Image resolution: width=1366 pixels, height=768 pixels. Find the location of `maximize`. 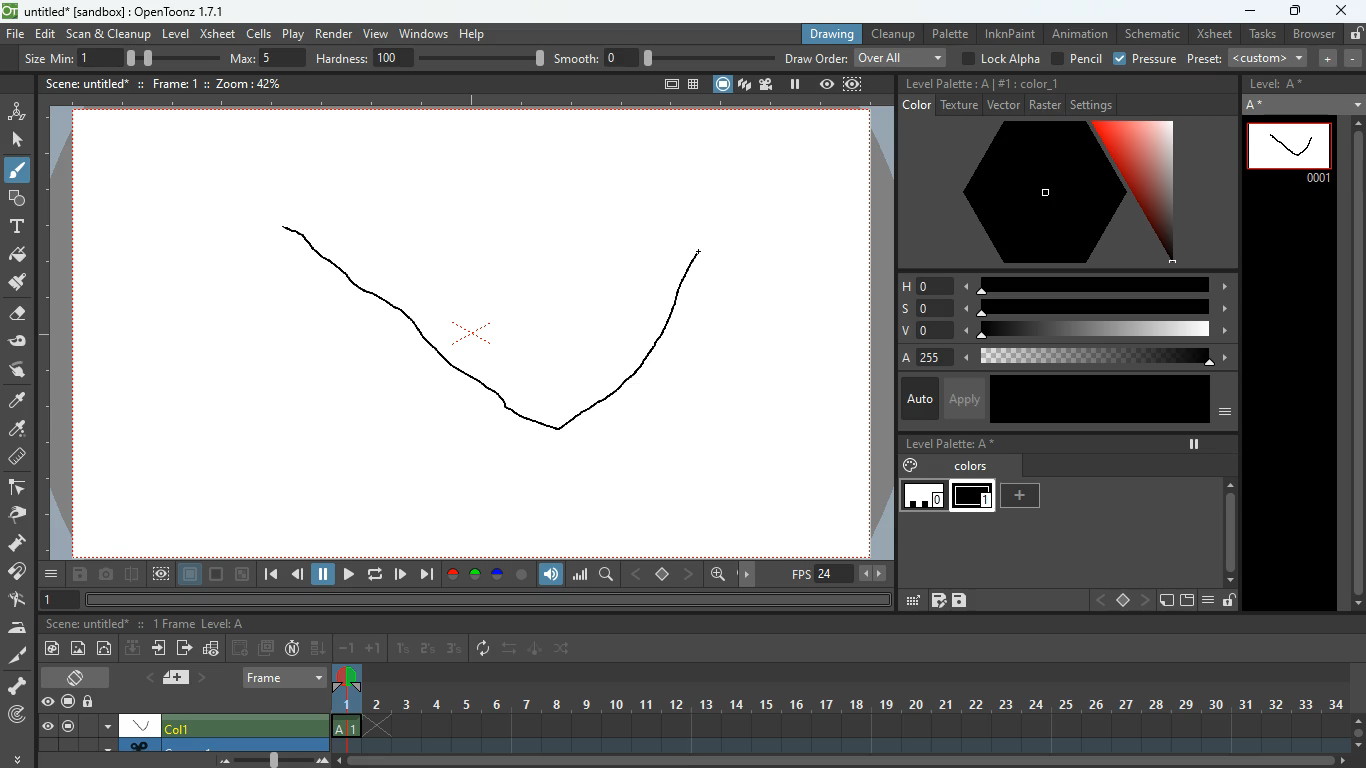

maximize is located at coordinates (1293, 13).